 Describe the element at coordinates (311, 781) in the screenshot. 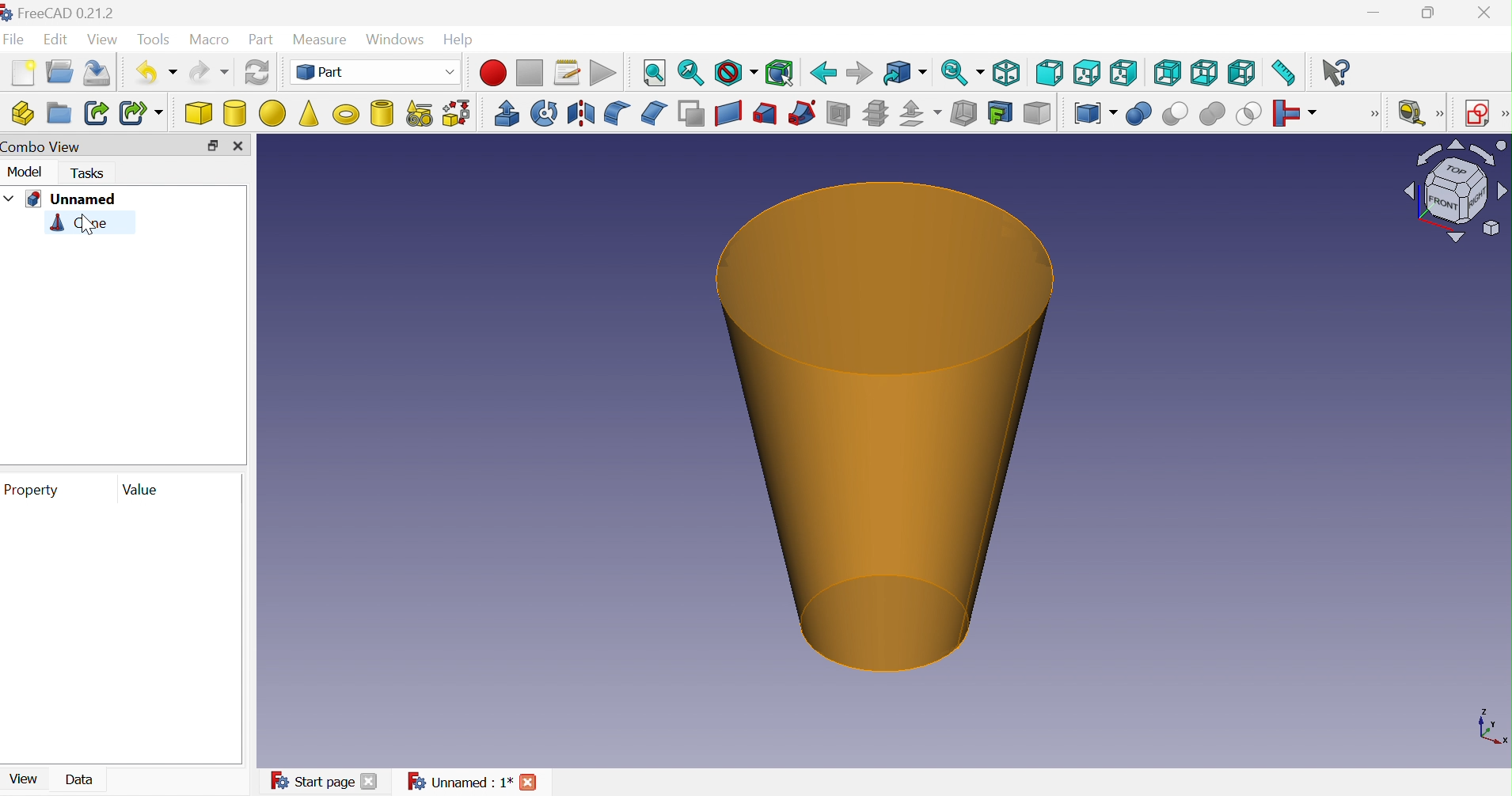

I see `Start page` at that location.